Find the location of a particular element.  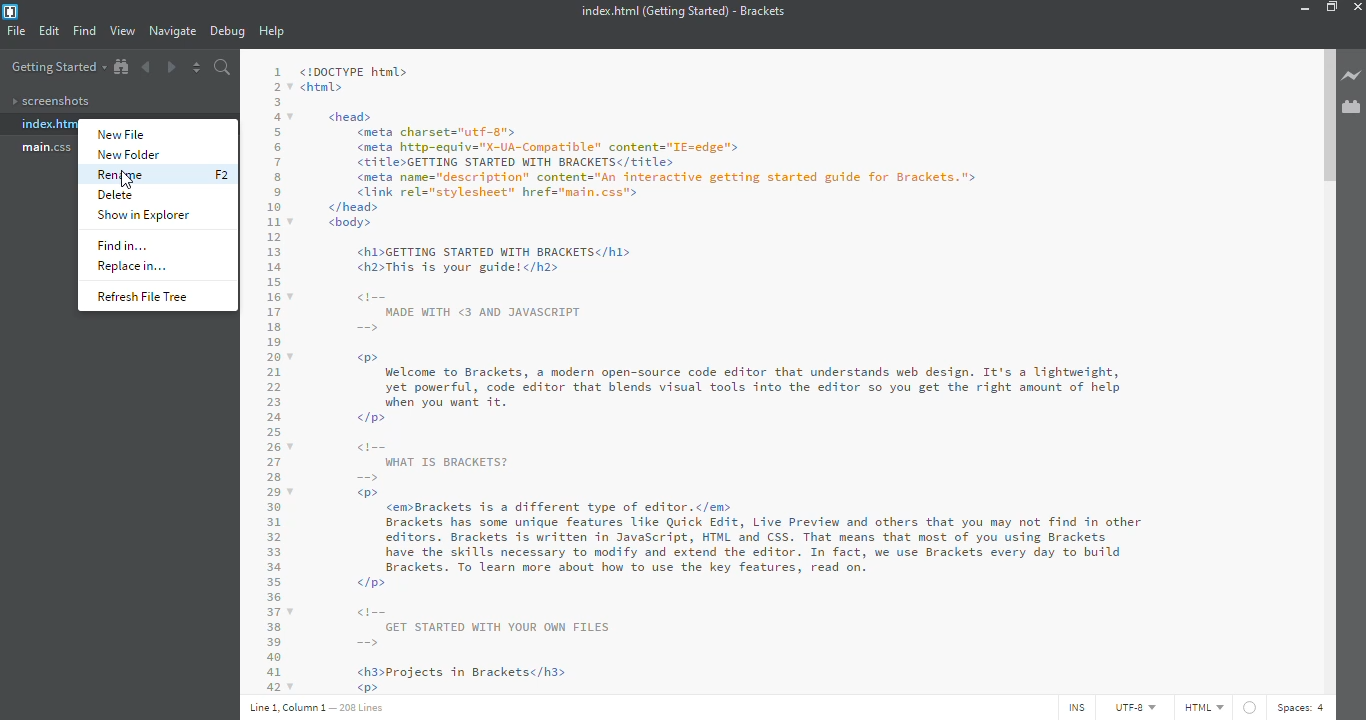

search is located at coordinates (223, 67).